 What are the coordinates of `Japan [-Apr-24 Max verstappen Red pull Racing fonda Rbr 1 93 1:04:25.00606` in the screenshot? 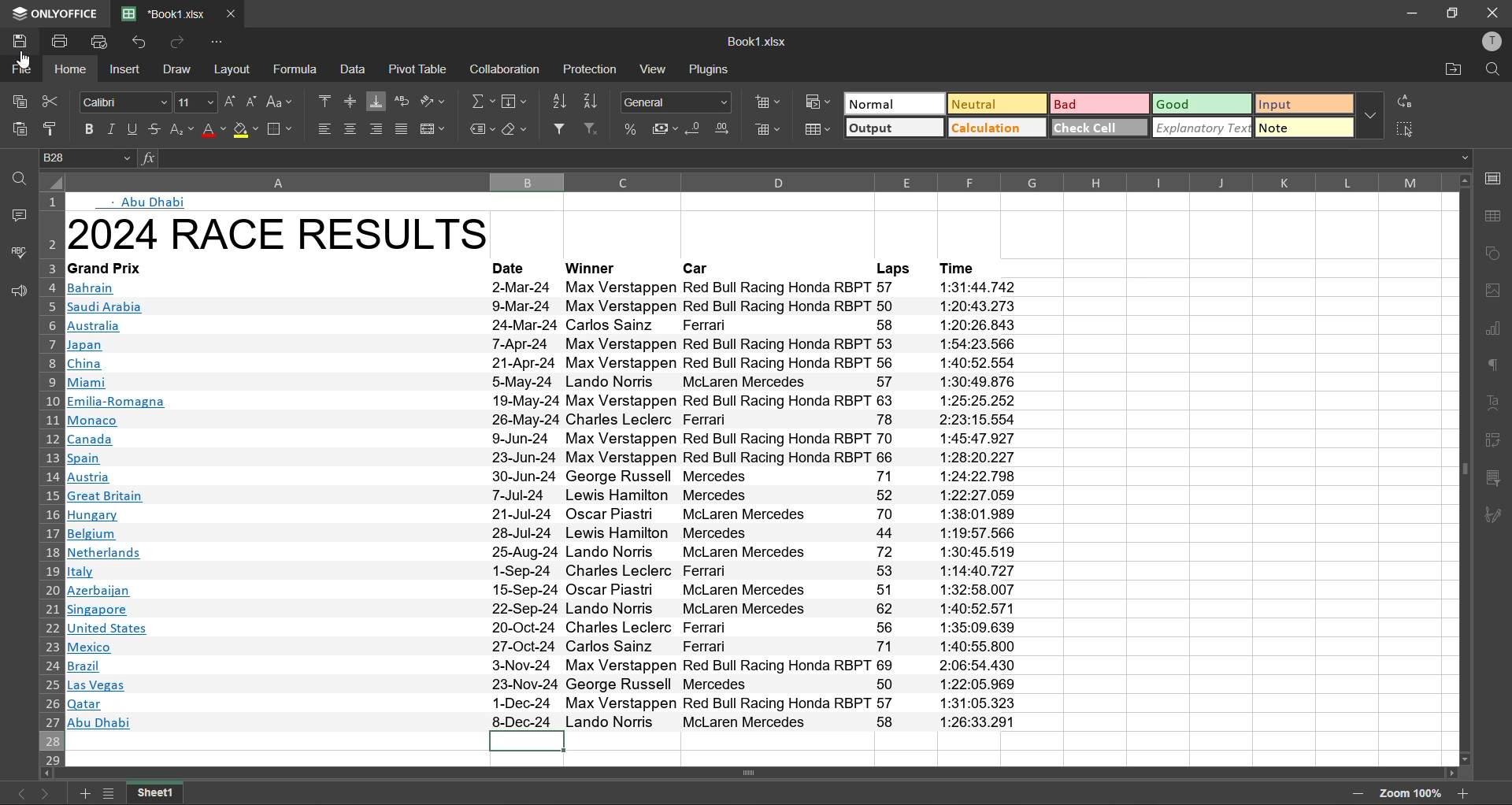 It's located at (547, 347).